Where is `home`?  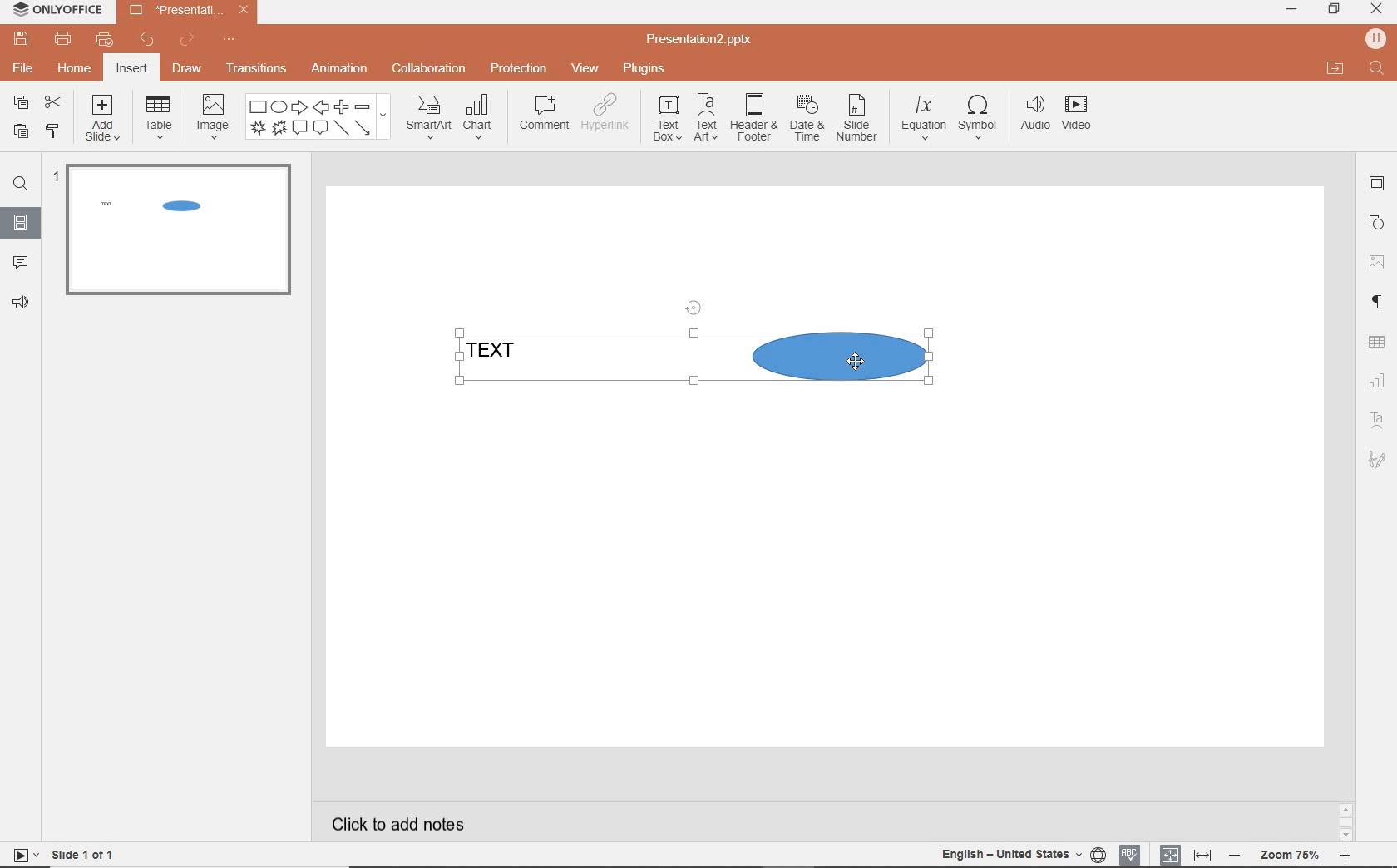
home is located at coordinates (76, 69).